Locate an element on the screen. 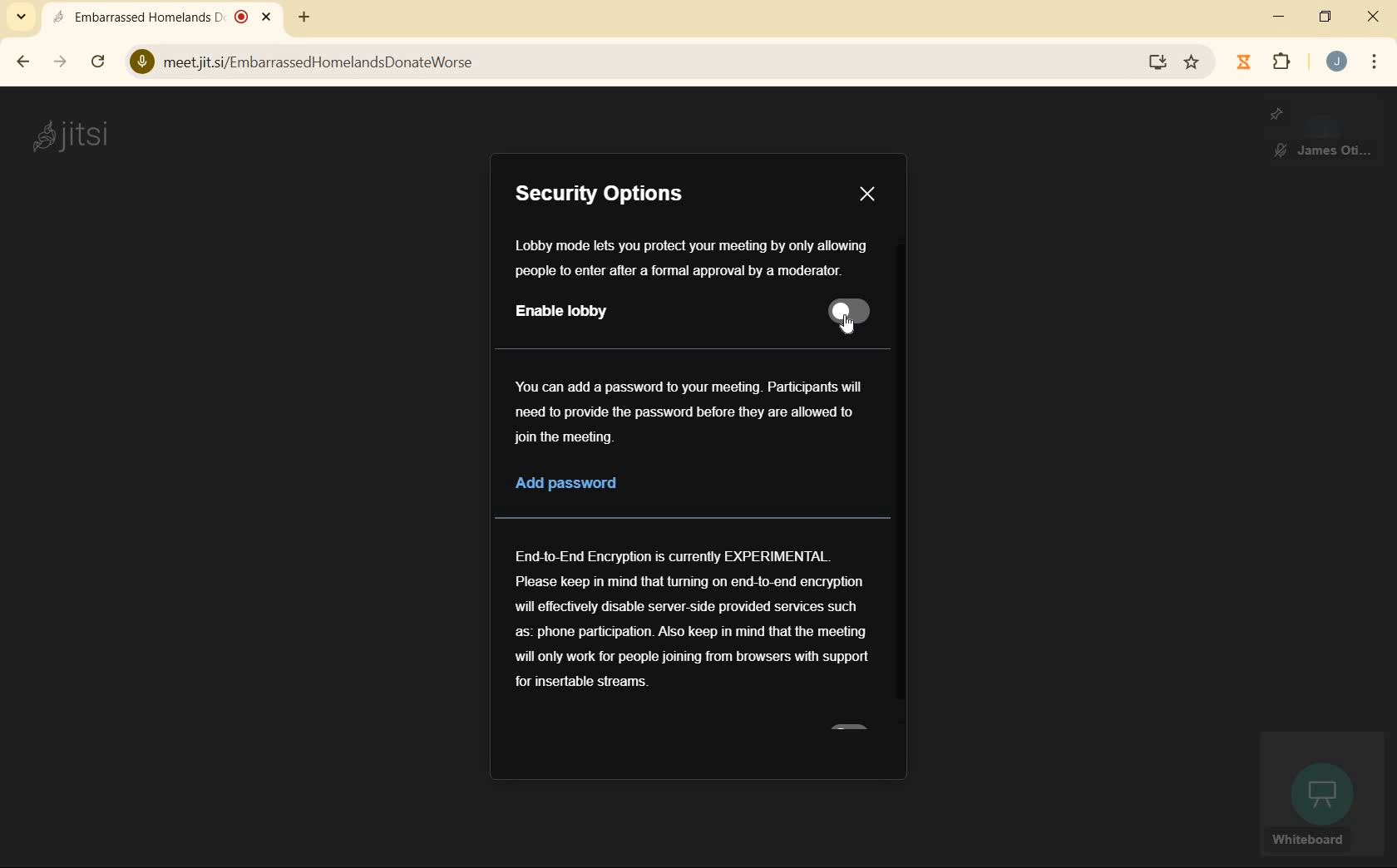  pinned screen is located at coordinates (1323, 133).